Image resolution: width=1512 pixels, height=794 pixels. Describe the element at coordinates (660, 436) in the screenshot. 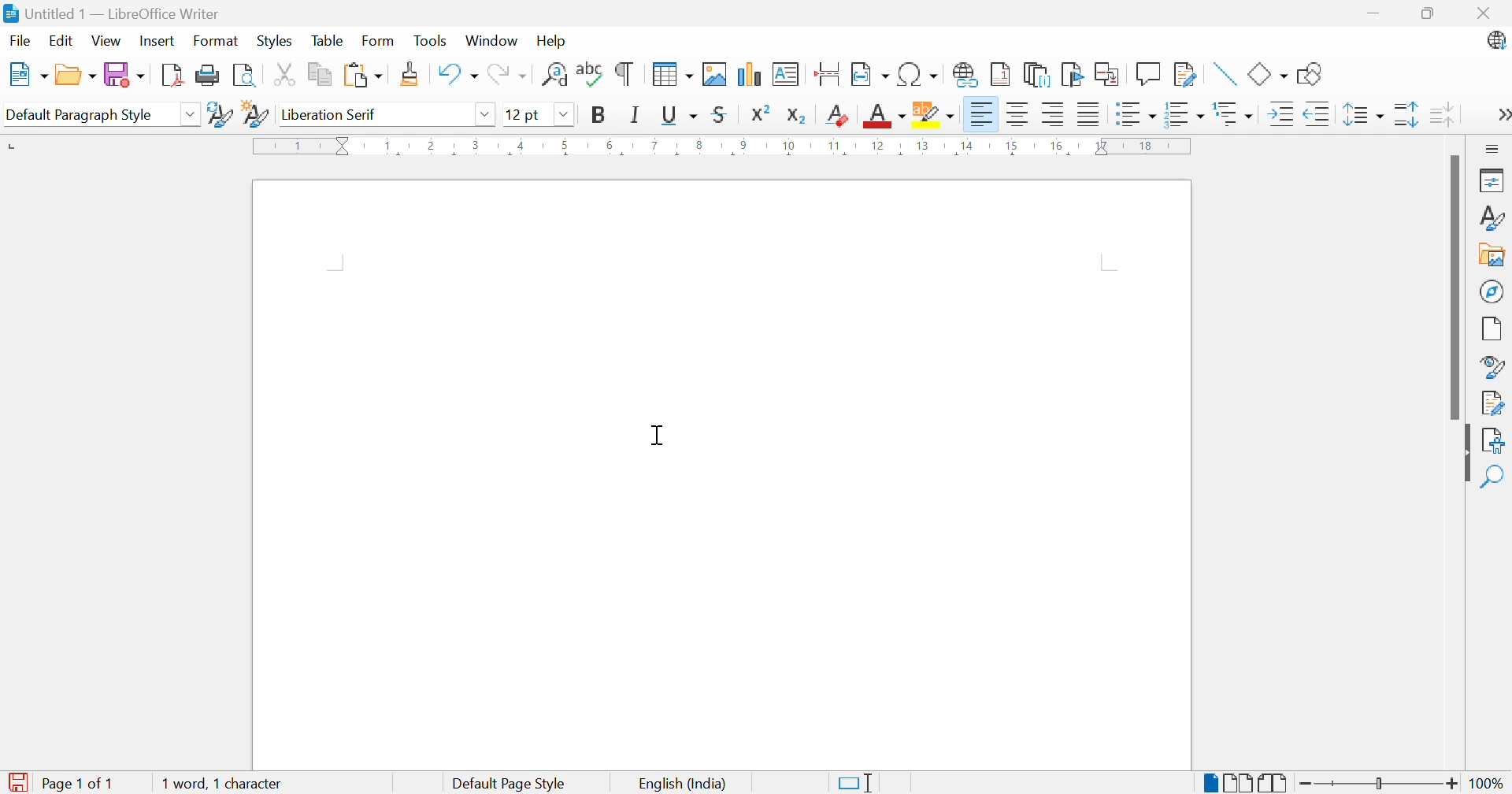

I see `Cursor` at that location.